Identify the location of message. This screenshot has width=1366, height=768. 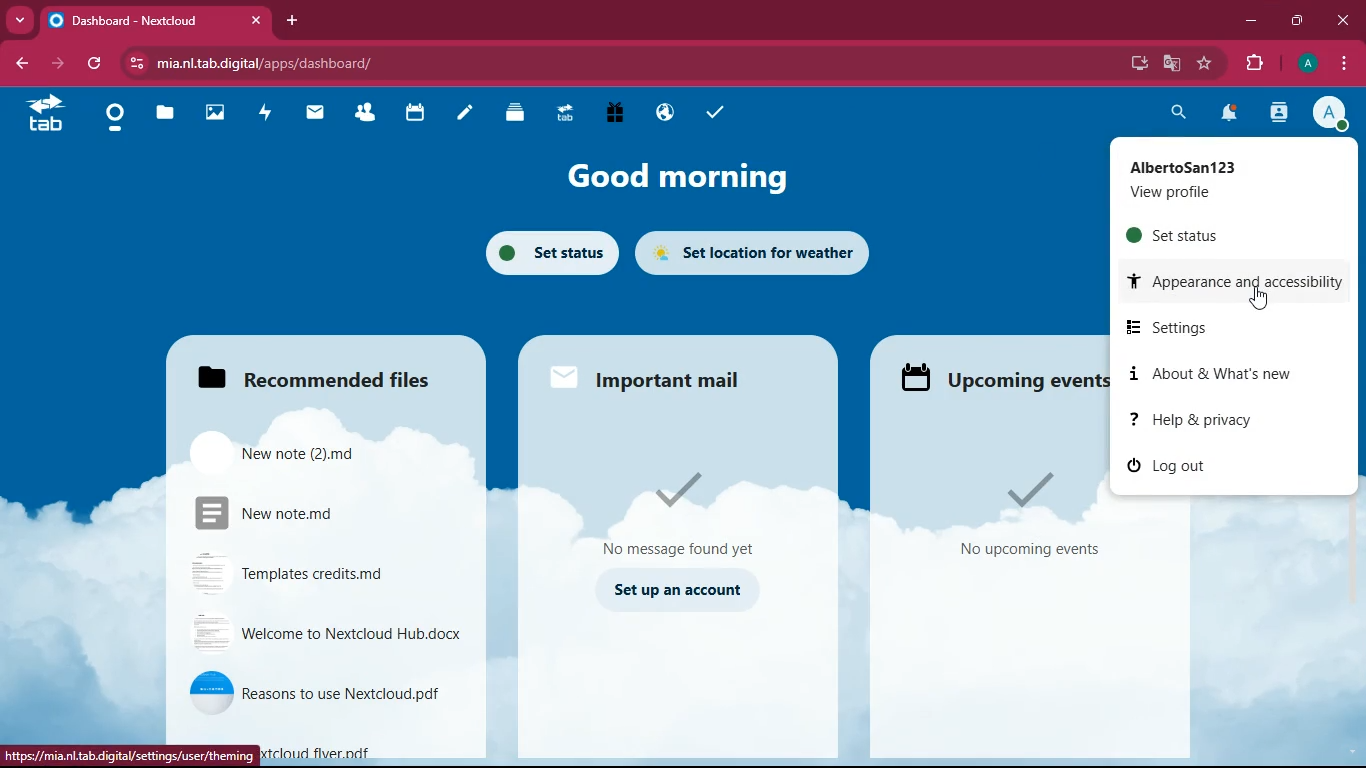
(681, 509).